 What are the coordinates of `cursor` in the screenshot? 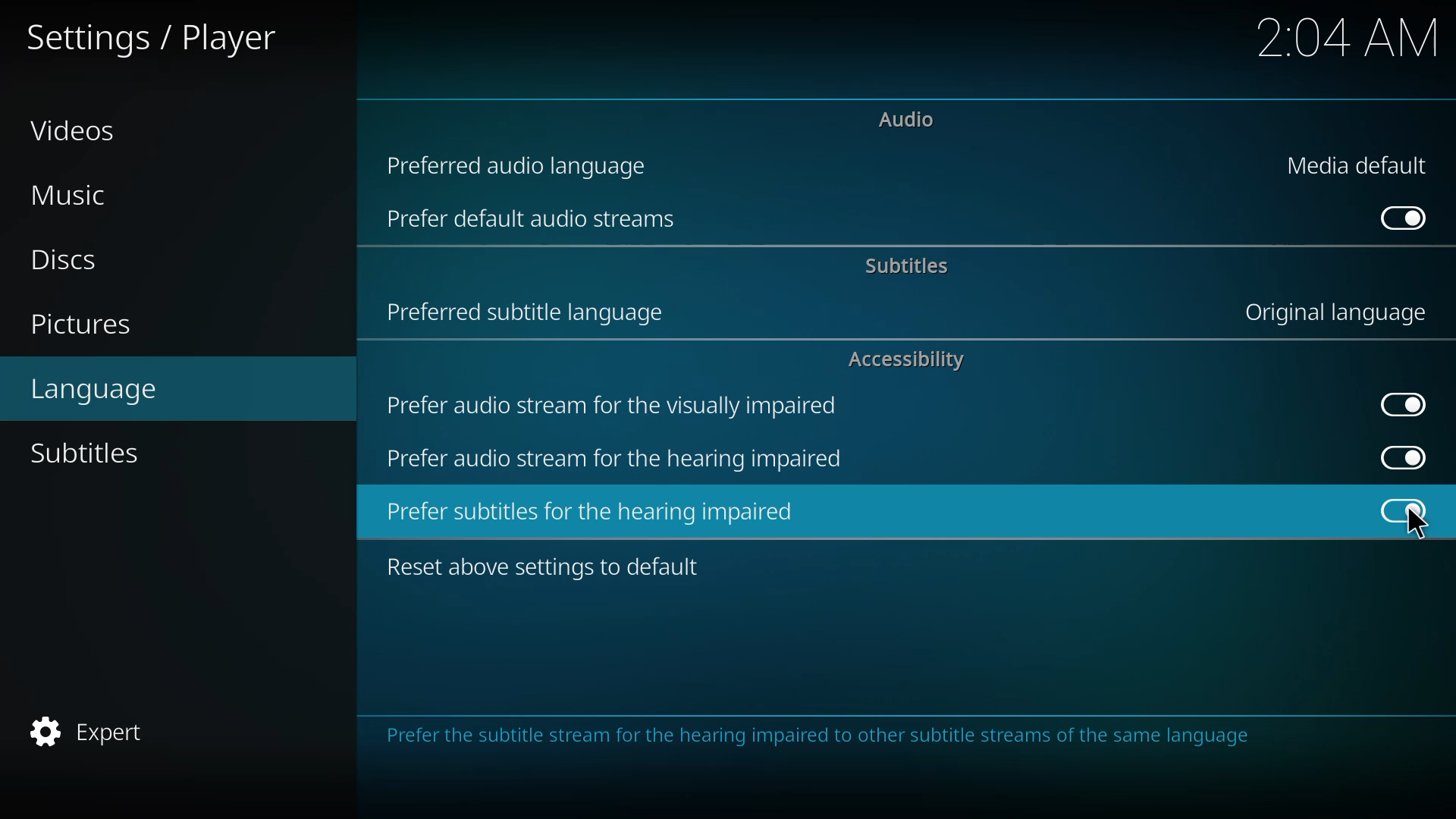 It's located at (1417, 523).